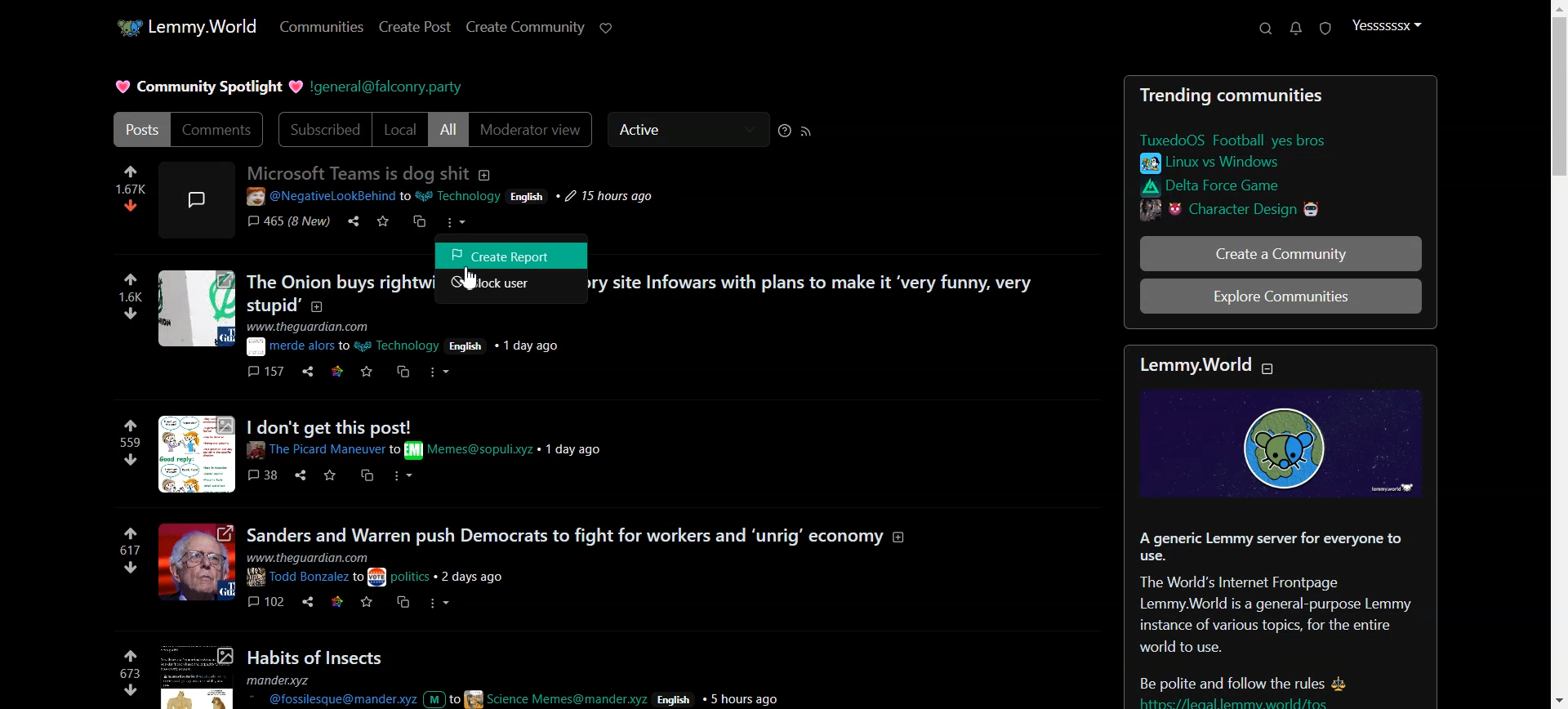  I want to click on numbers, so click(131, 297).